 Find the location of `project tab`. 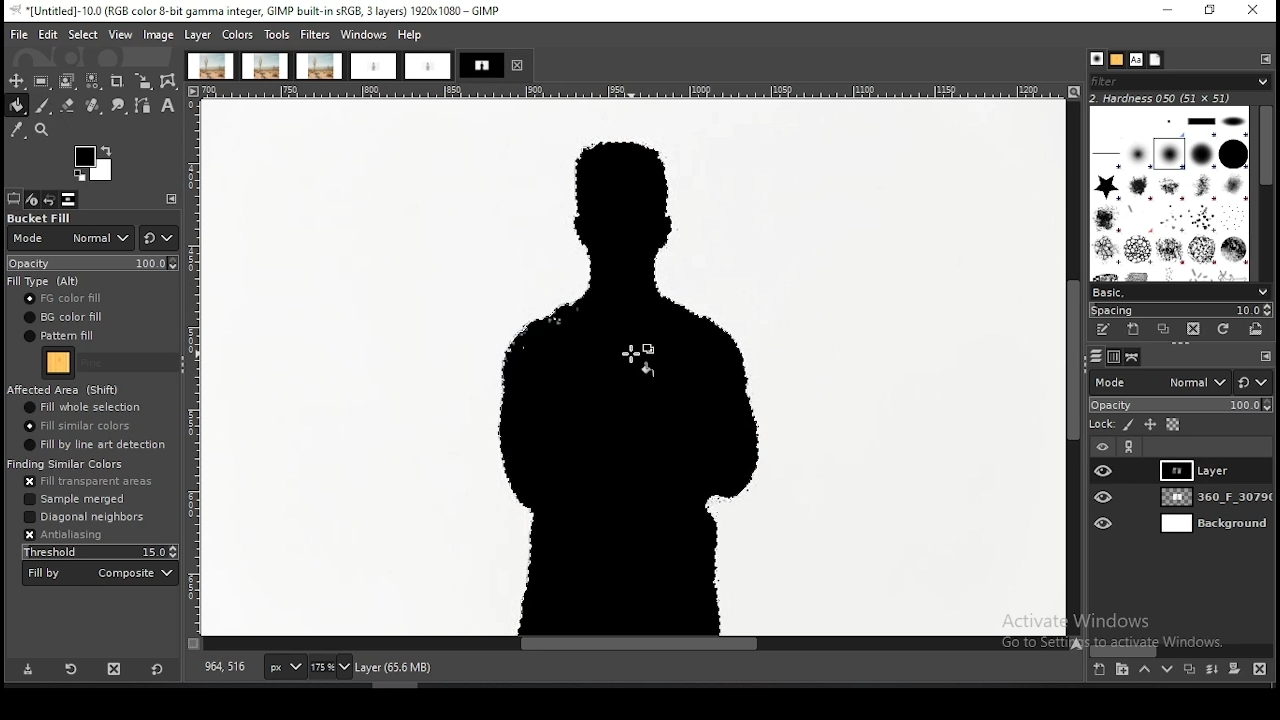

project tab is located at coordinates (210, 66).